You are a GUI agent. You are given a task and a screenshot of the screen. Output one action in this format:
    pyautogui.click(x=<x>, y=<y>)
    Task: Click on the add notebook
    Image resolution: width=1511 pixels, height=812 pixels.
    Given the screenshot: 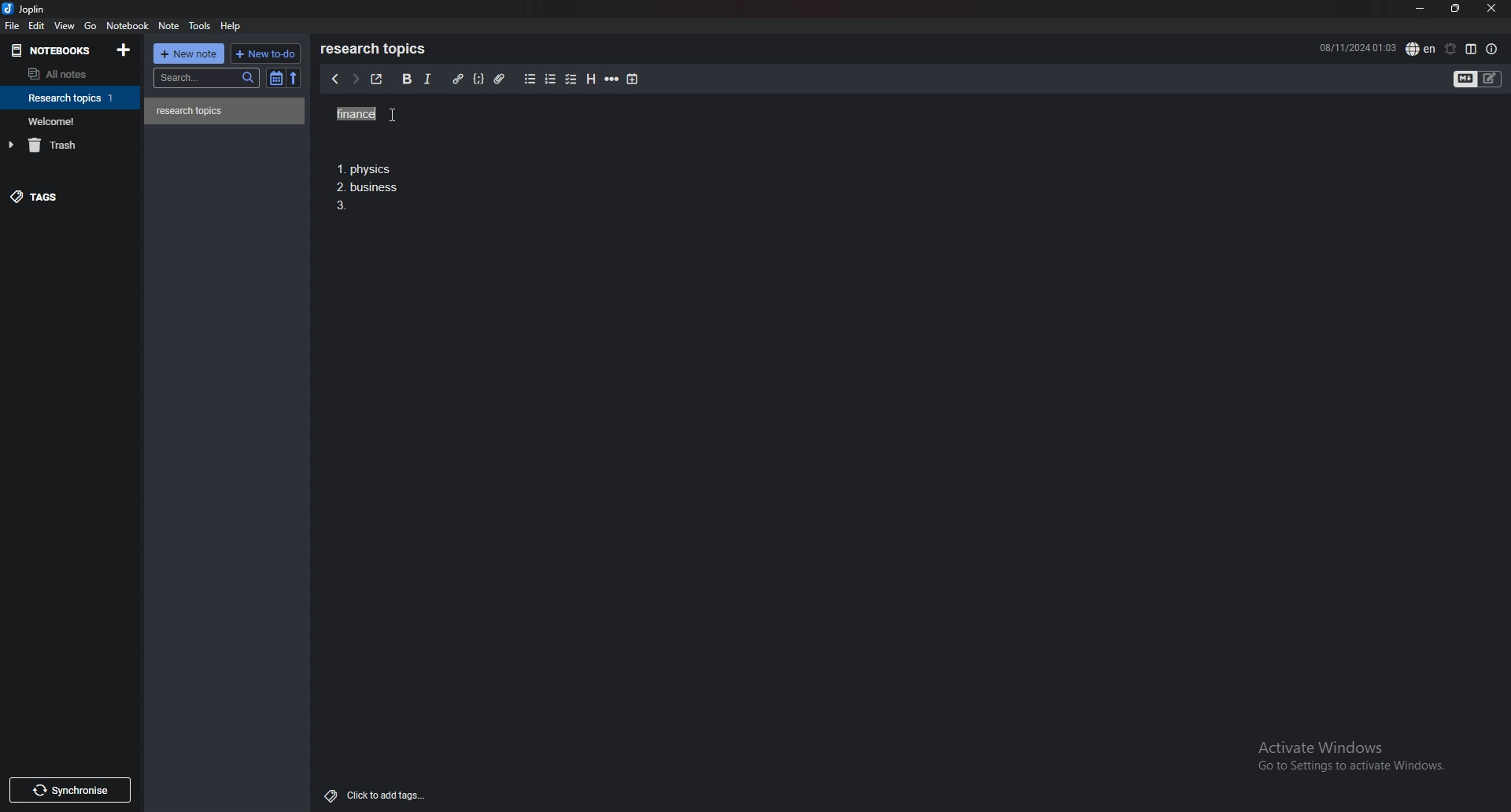 What is the action you would take?
    pyautogui.click(x=123, y=50)
    